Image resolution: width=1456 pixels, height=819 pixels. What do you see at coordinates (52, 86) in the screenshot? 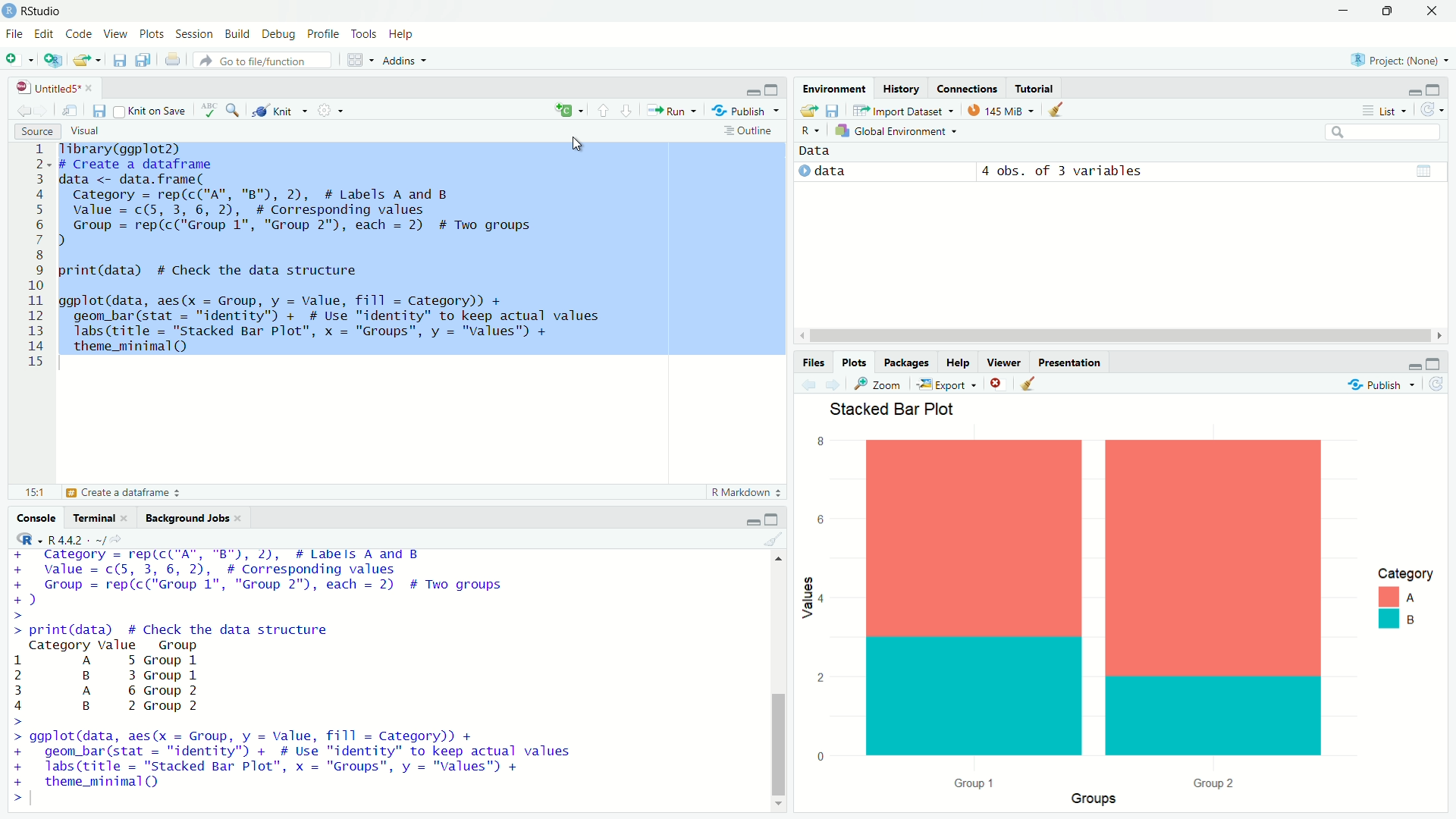
I see `Untitled5*` at bounding box center [52, 86].